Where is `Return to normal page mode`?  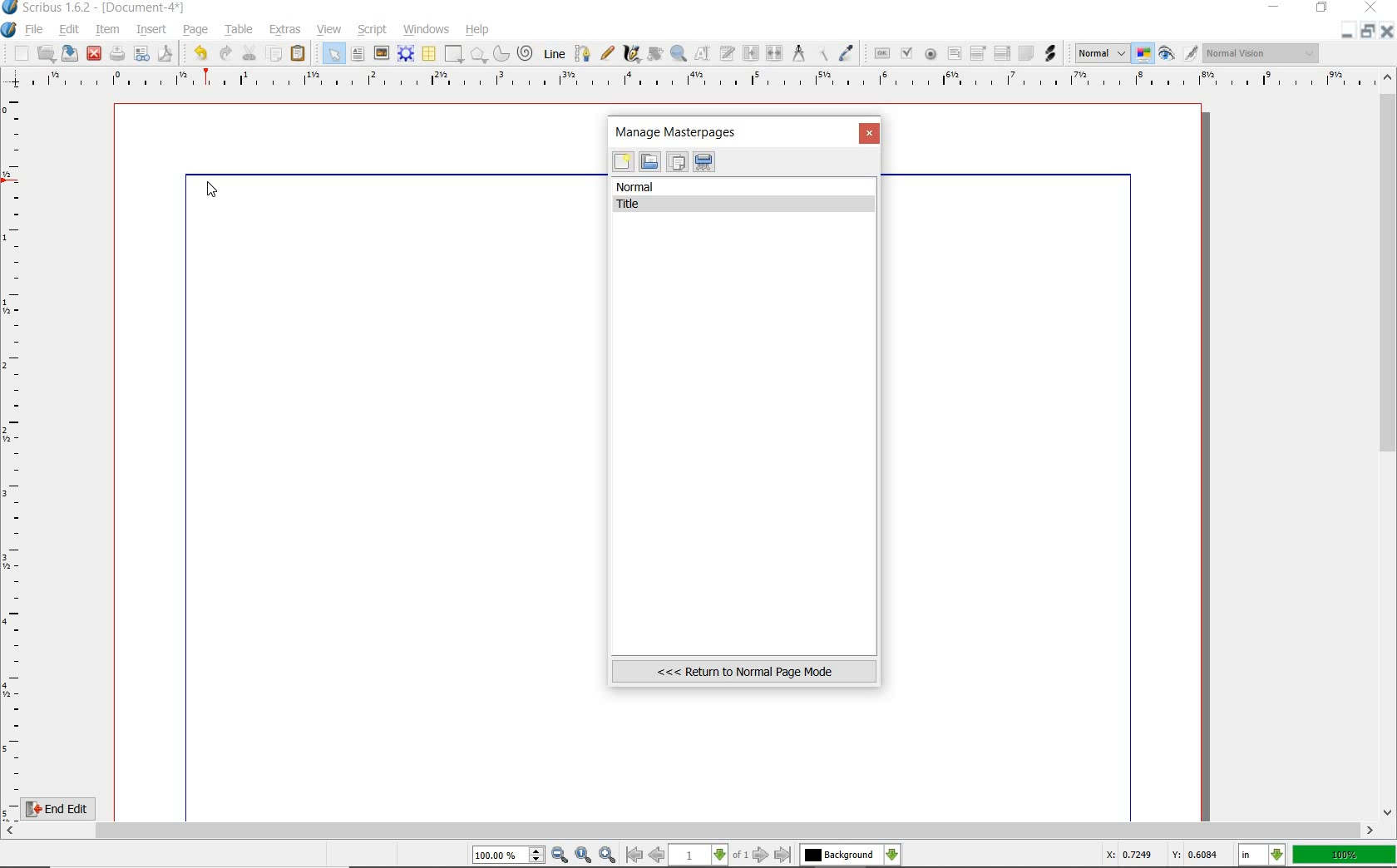
Return to normal page mode is located at coordinates (744, 671).